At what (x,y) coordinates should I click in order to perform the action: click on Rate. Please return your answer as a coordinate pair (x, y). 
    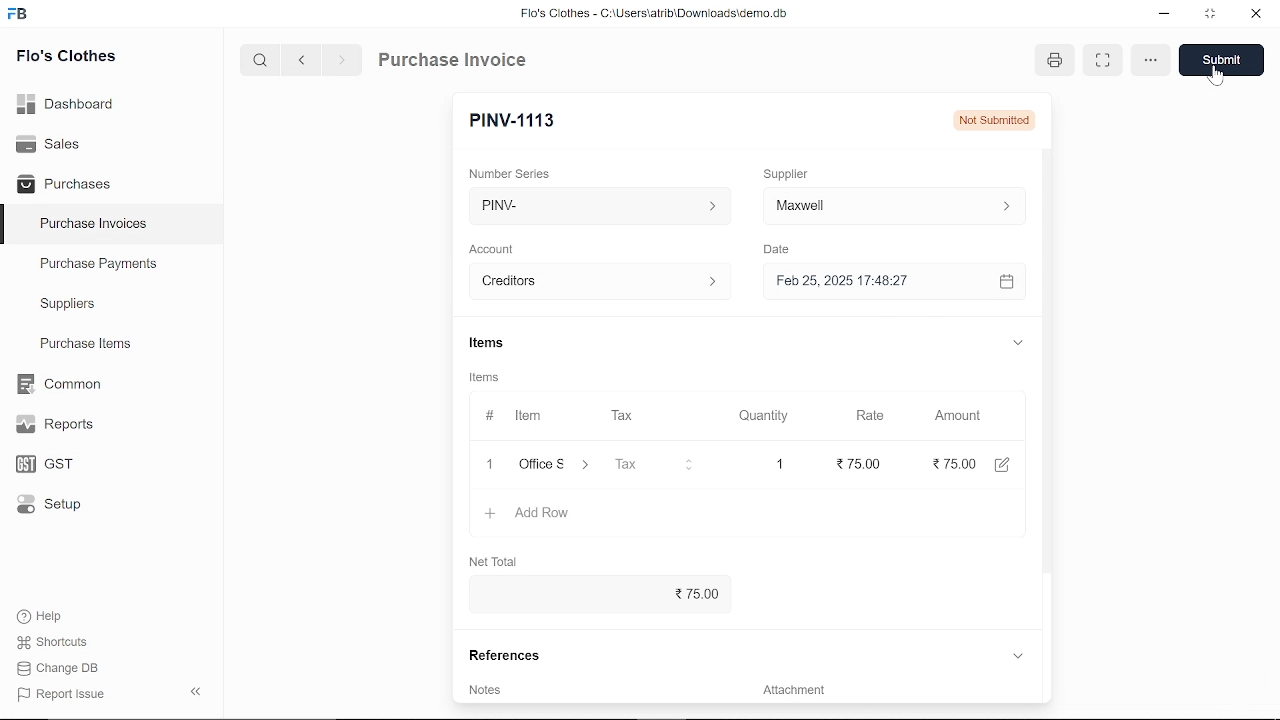
    Looking at the image, I should click on (867, 415).